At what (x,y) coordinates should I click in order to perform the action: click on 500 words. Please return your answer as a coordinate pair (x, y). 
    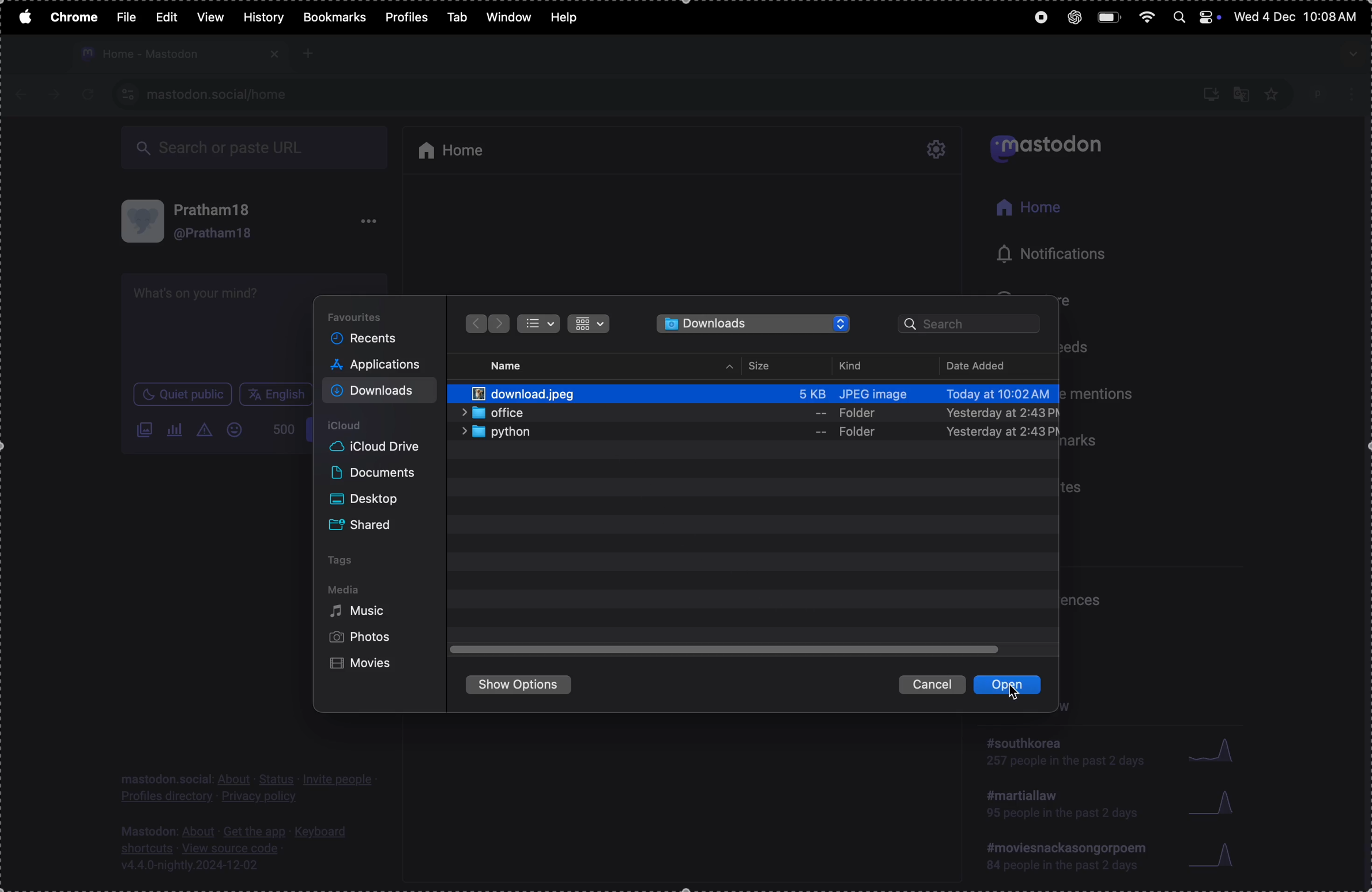
    Looking at the image, I should click on (283, 433).